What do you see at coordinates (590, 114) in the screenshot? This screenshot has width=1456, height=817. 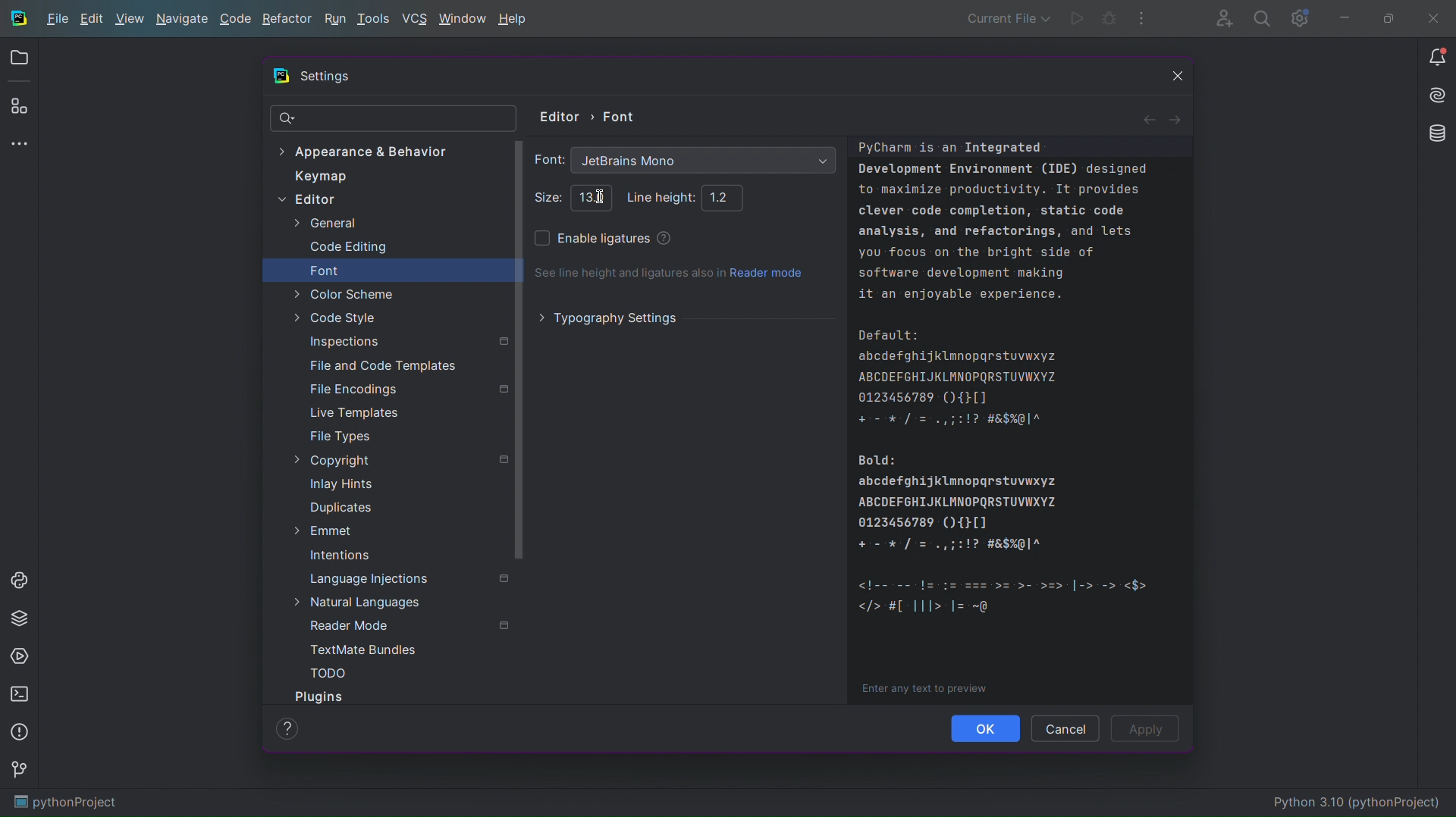 I see `Editor > Font` at bounding box center [590, 114].